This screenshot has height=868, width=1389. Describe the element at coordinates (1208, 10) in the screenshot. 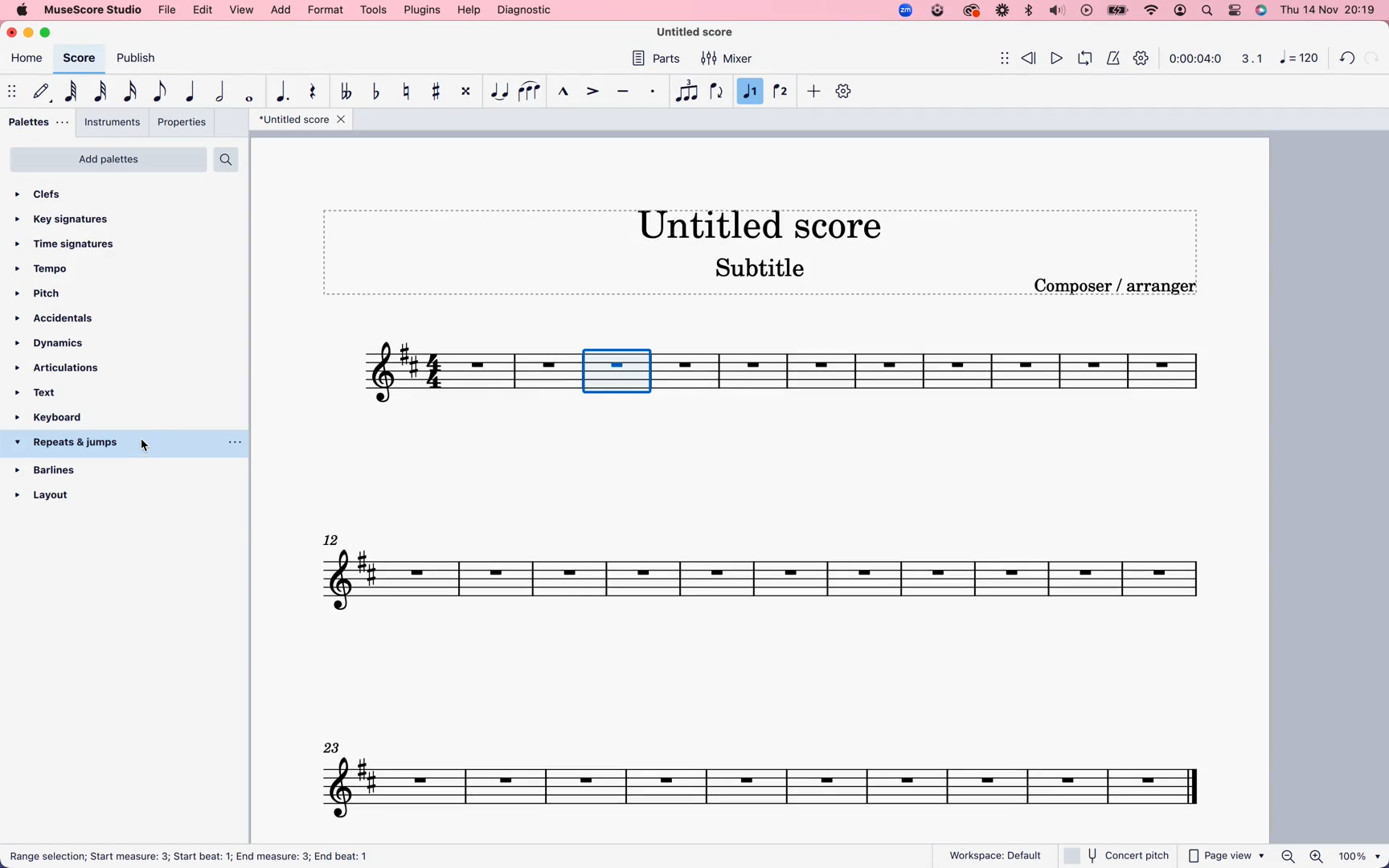

I see `search` at that location.